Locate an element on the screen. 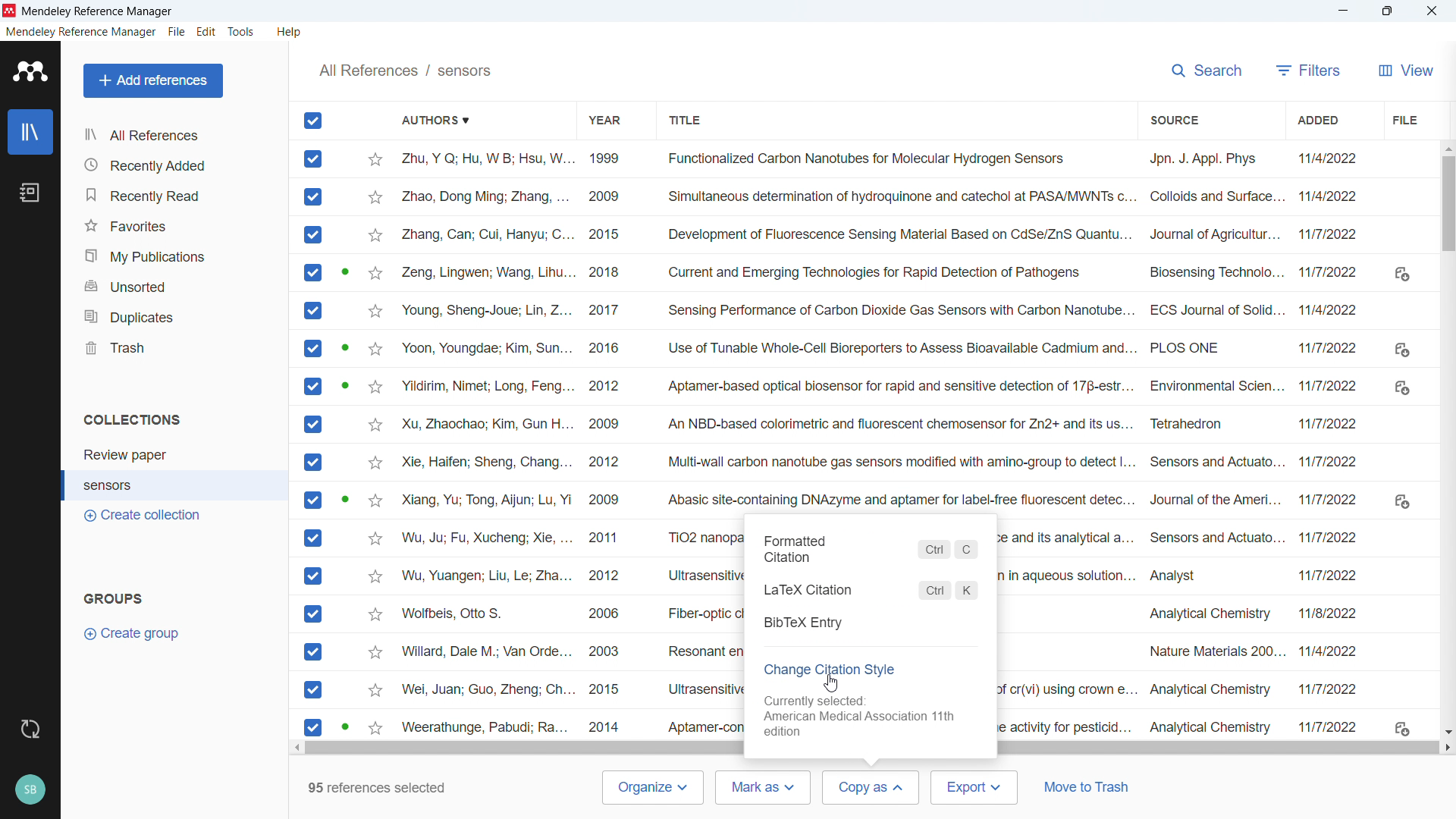  search  is located at coordinates (1204, 71).